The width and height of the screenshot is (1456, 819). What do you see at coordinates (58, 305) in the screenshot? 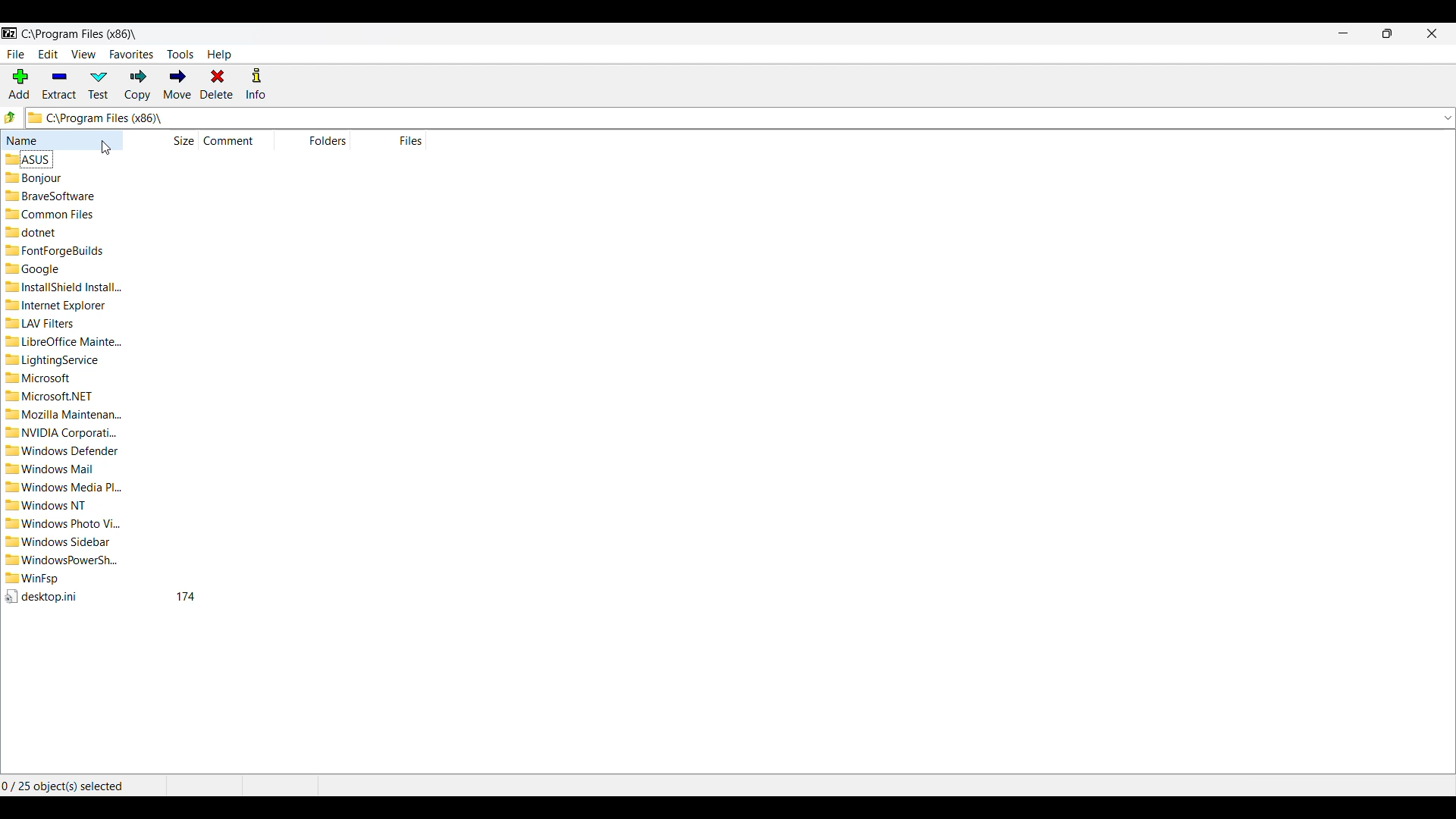
I see `Internet Explorer` at bounding box center [58, 305].